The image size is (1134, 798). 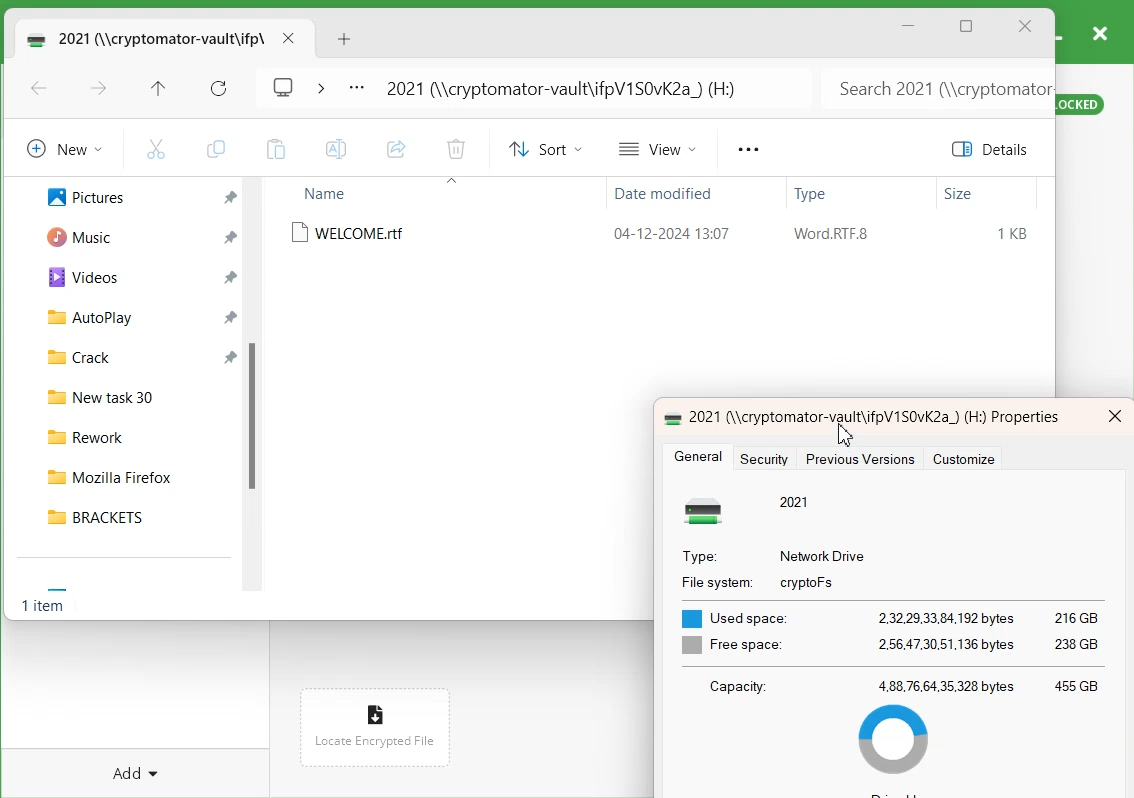 I want to click on Drop down box, so click(x=320, y=86).